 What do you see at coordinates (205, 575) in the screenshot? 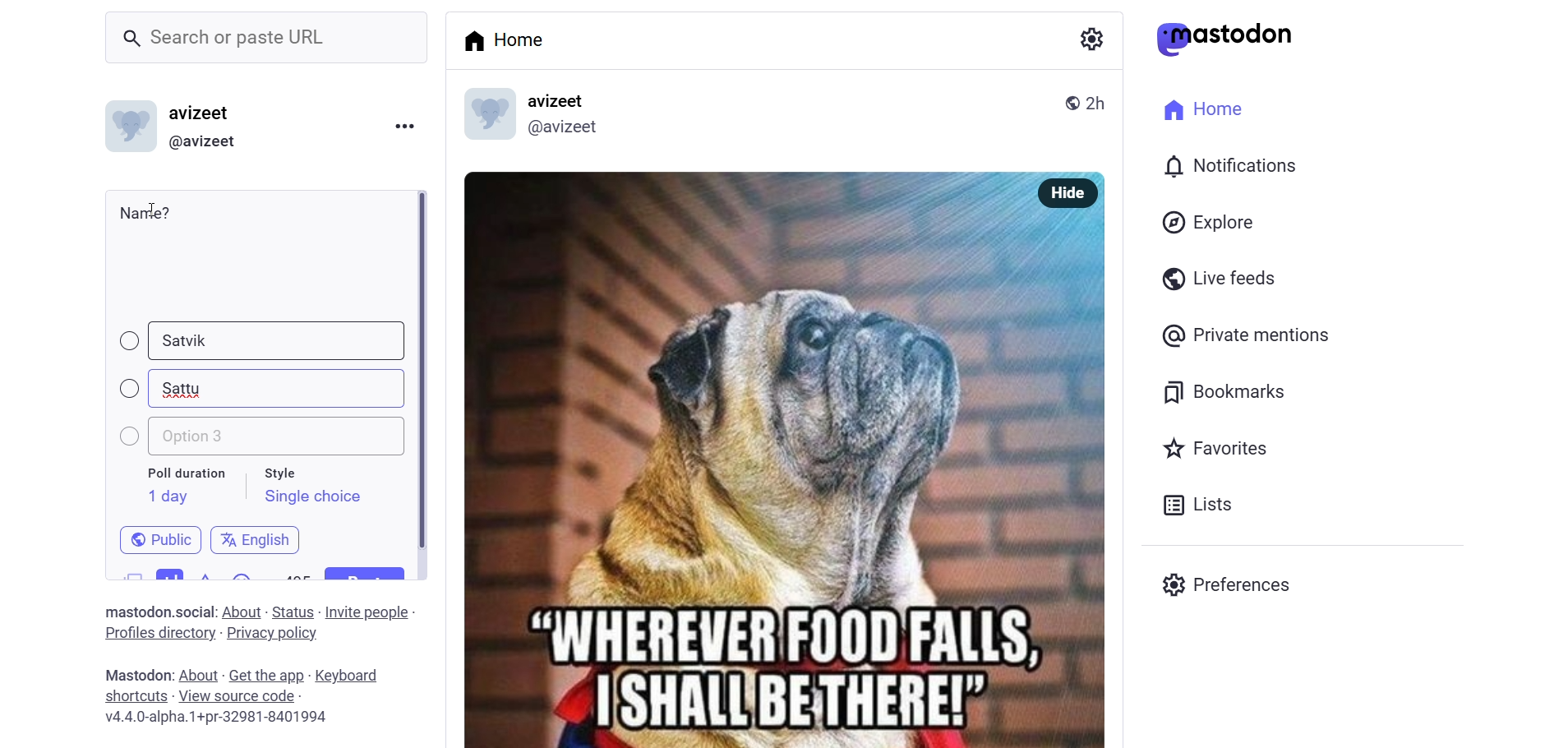
I see `content warning` at bounding box center [205, 575].